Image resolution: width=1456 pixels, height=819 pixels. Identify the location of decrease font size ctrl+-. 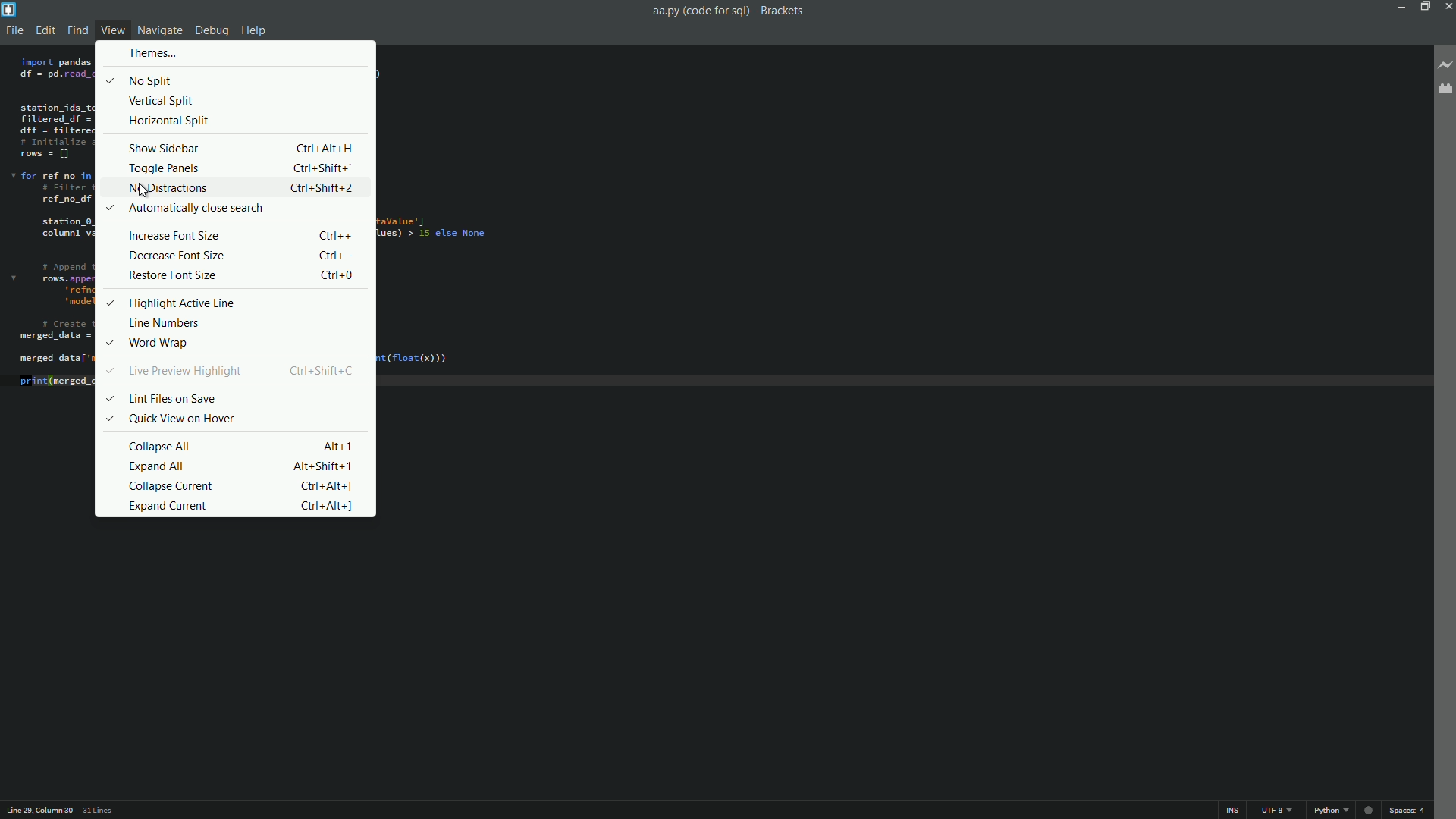
(241, 253).